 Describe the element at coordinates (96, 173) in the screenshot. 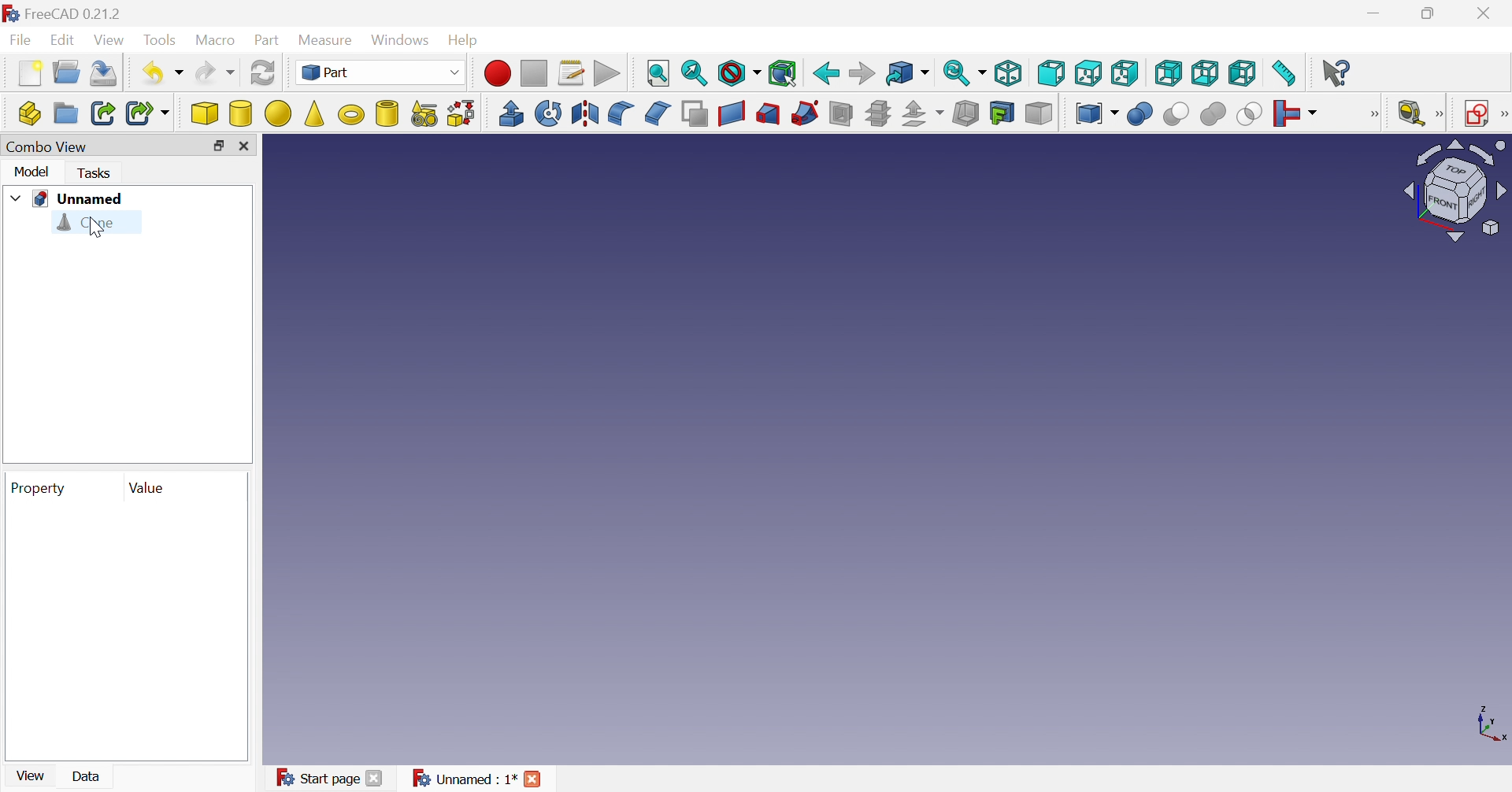

I see `Tasks` at that location.